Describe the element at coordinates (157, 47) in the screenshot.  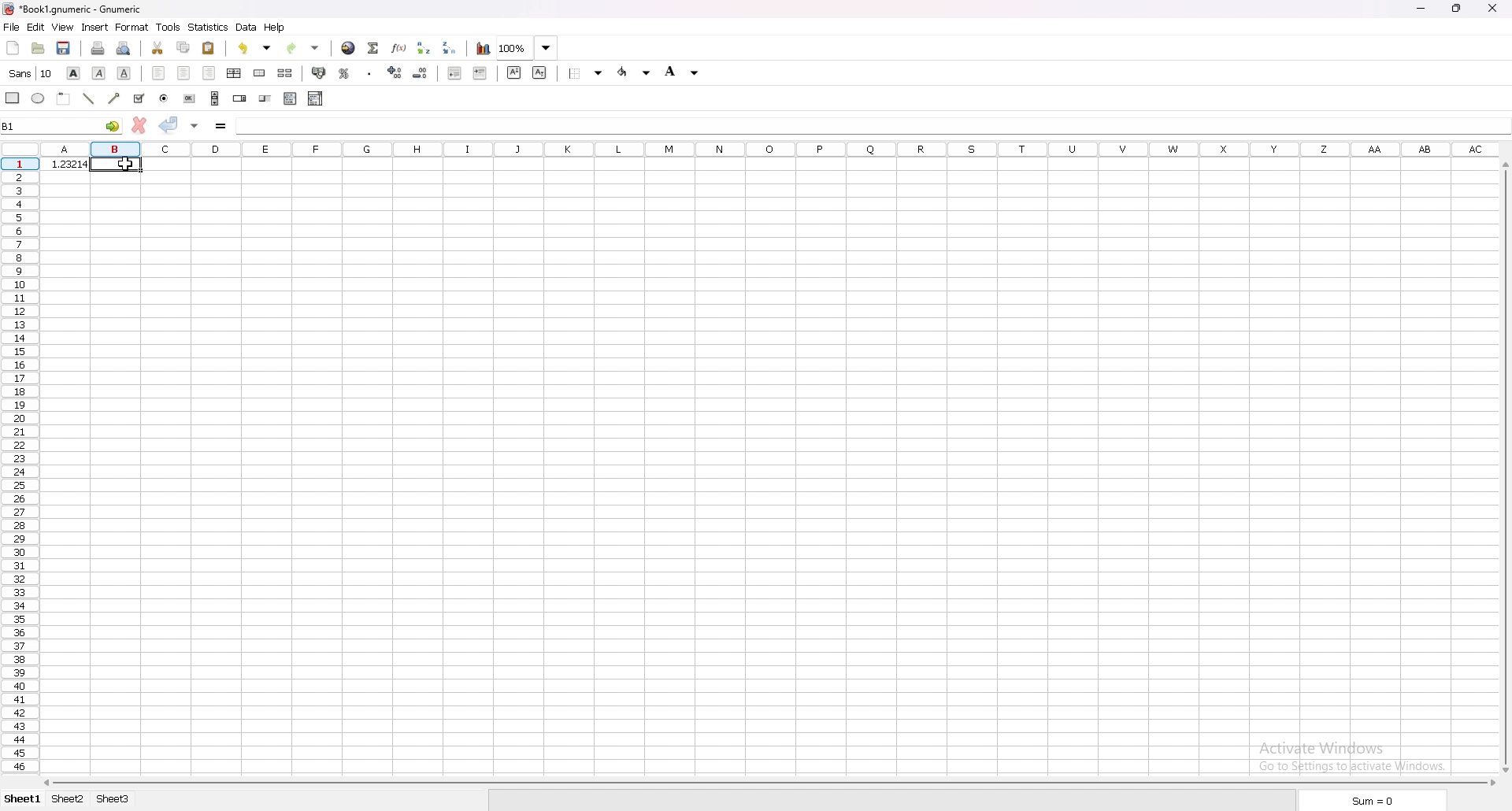
I see `cut` at that location.